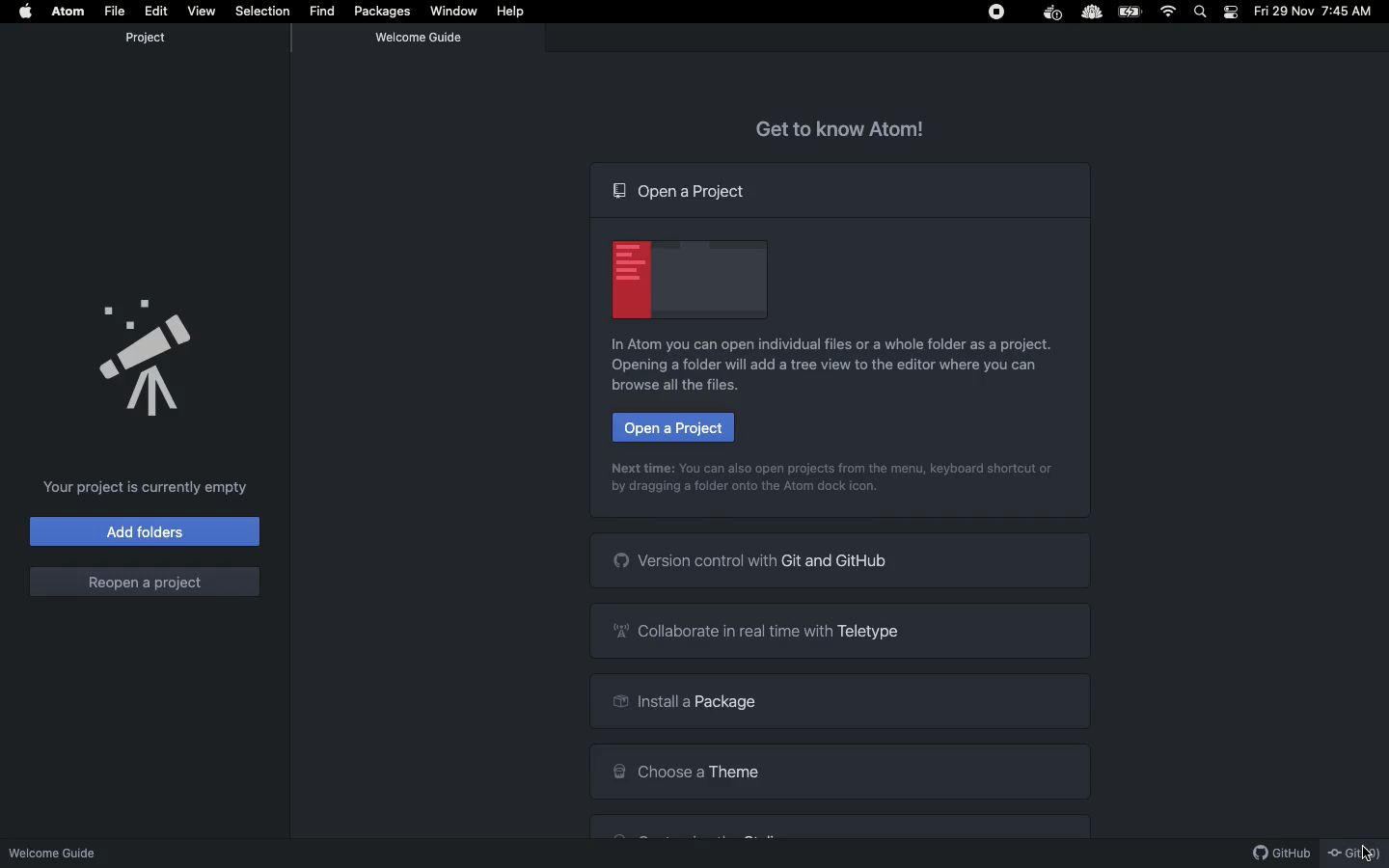 The width and height of the screenshot is (1389, 868). What do you see at coordinates (262, 9) in the screenshot?
I see `Selection` at bounding box center [262, 9].